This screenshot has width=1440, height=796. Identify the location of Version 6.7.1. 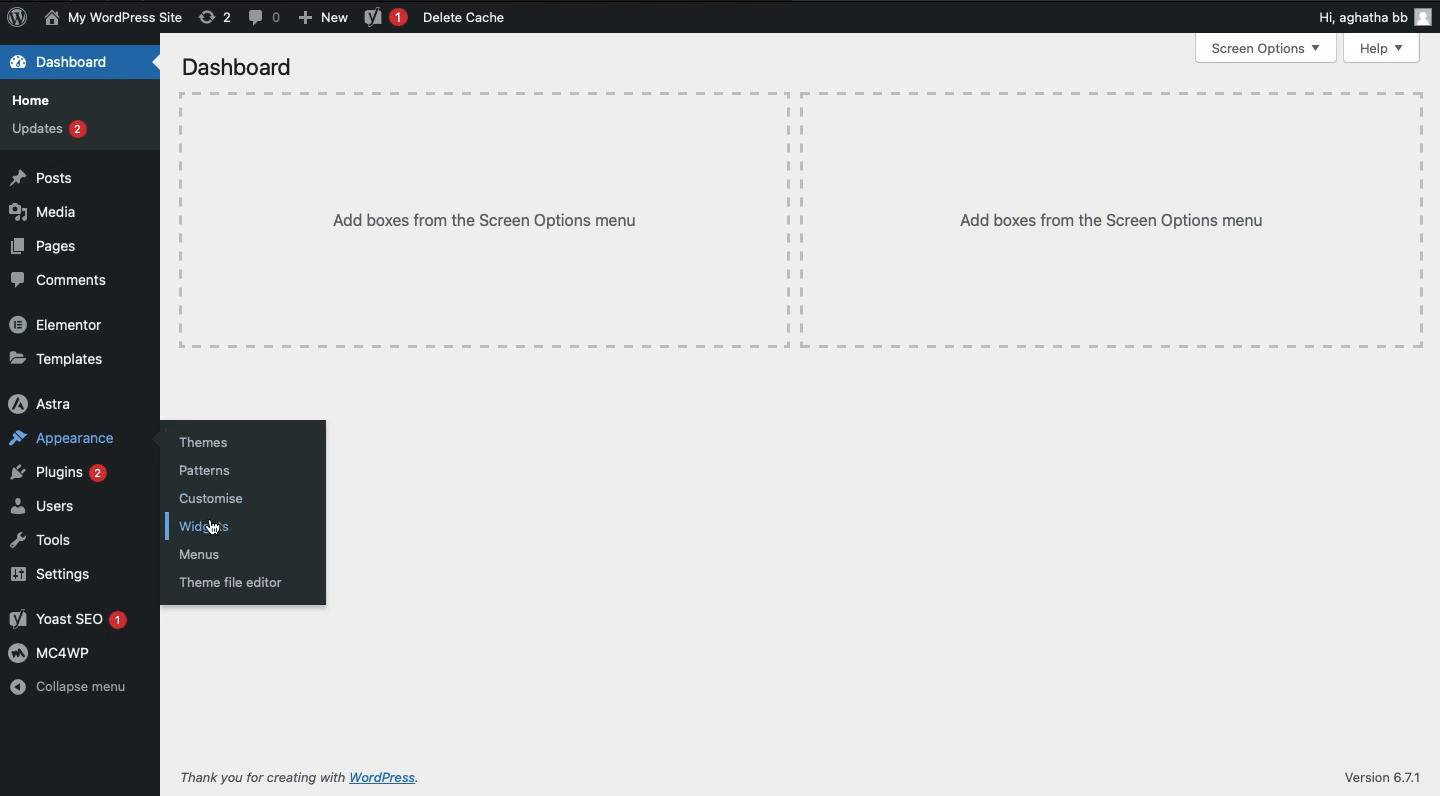
(1380, 758).